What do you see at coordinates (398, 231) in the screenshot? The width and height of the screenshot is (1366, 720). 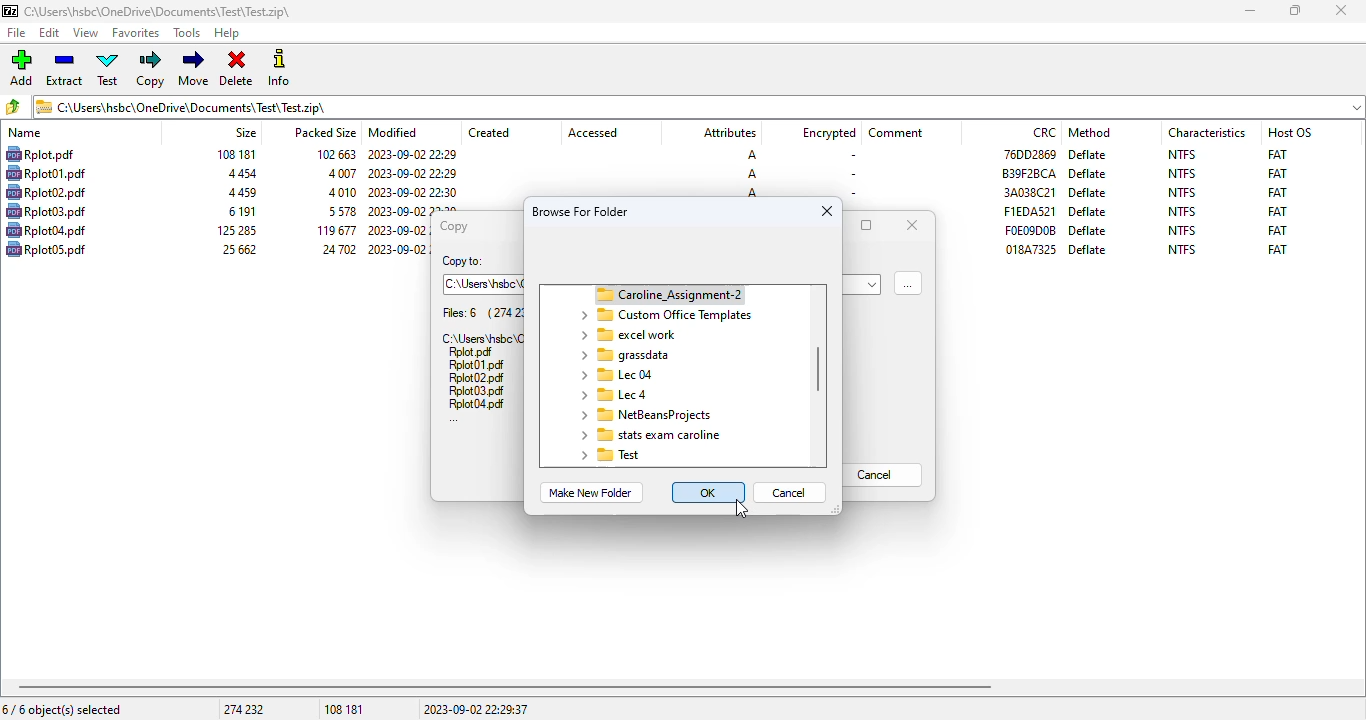 I see `modified date & time` at bounding box center [398, 231].